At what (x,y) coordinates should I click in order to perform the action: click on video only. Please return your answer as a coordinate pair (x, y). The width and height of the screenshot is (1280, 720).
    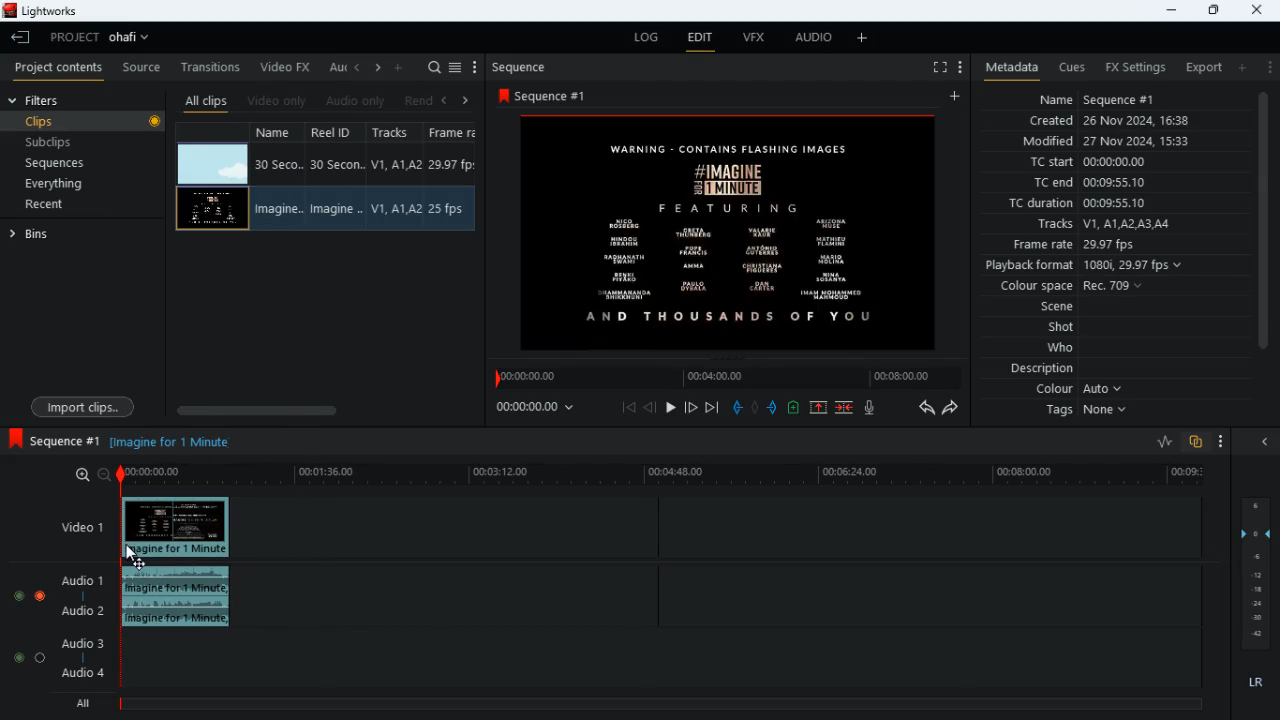
    Looking at the image, I should click on (278, 99).